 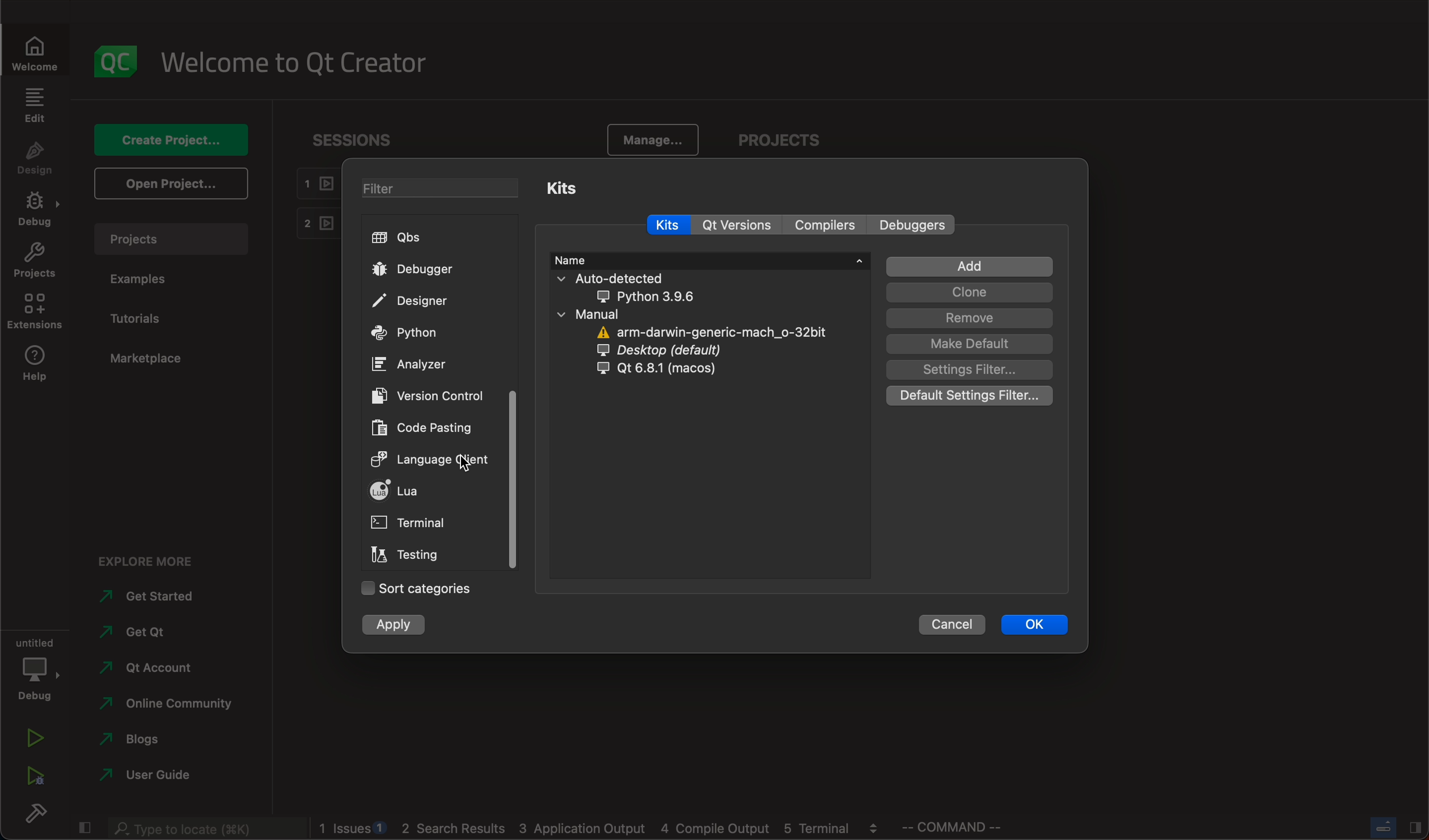 I want to click on debugger, so click(x=414, y=272).